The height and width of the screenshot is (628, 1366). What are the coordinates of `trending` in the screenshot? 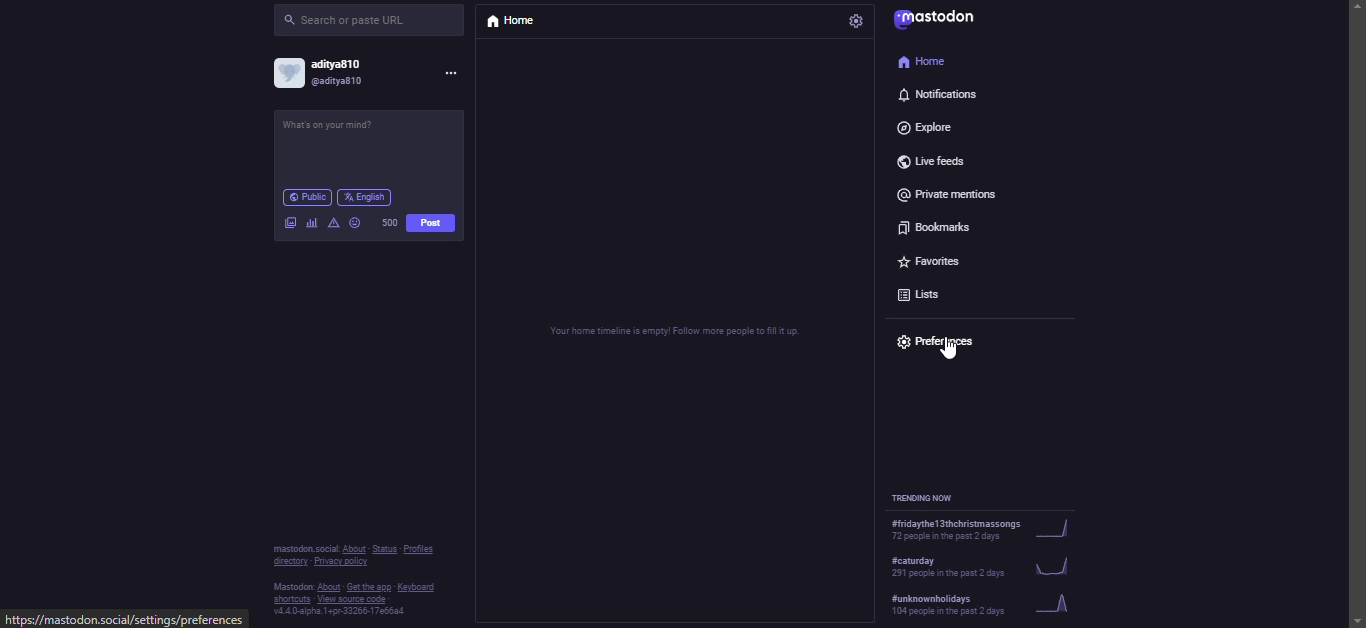 It's located at (982, 565).